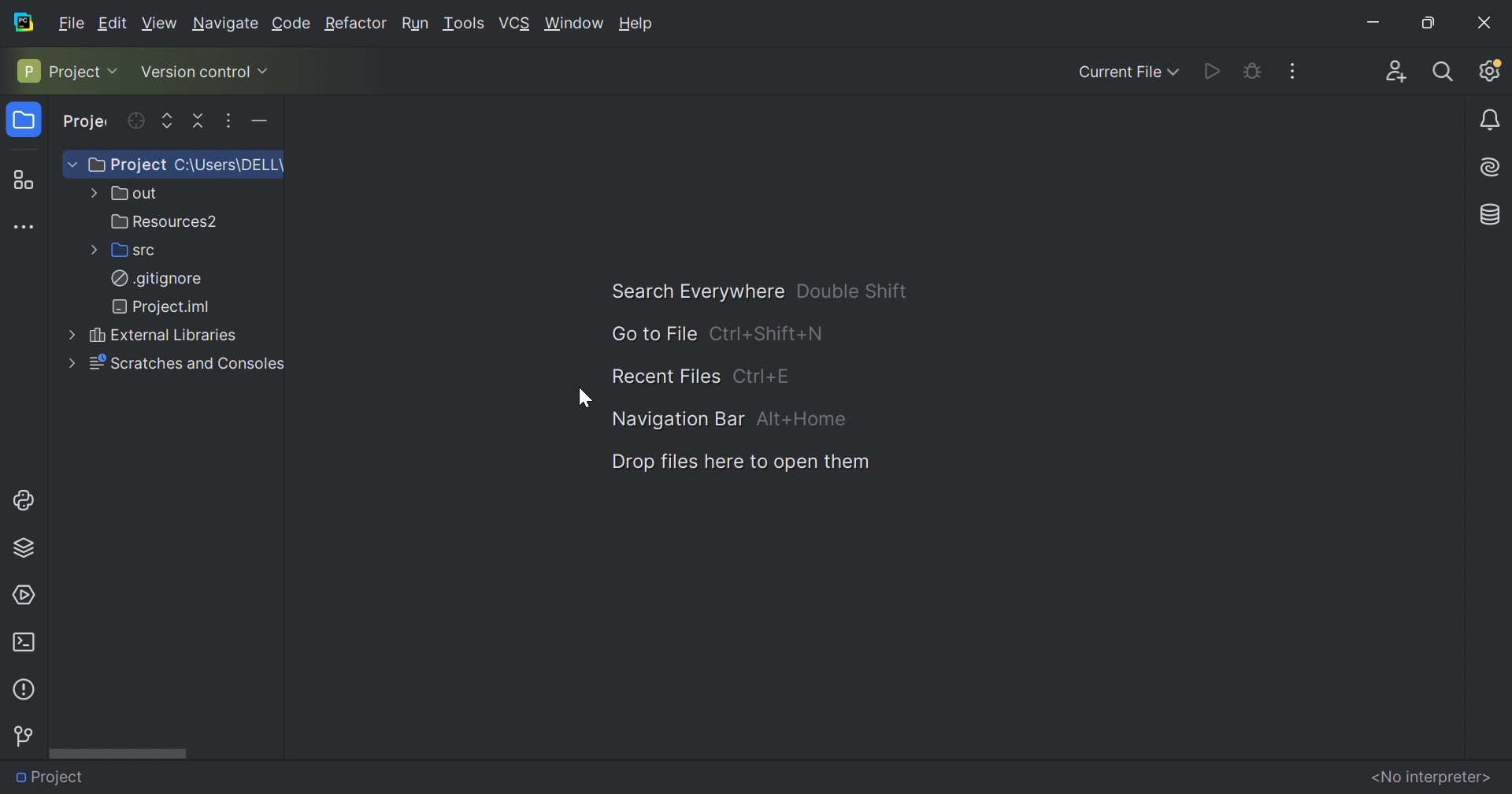  What do you see at coordinates (740, 462) in the screenshot?
I see `Drop files here to open them` at bounding box center [740, 462].